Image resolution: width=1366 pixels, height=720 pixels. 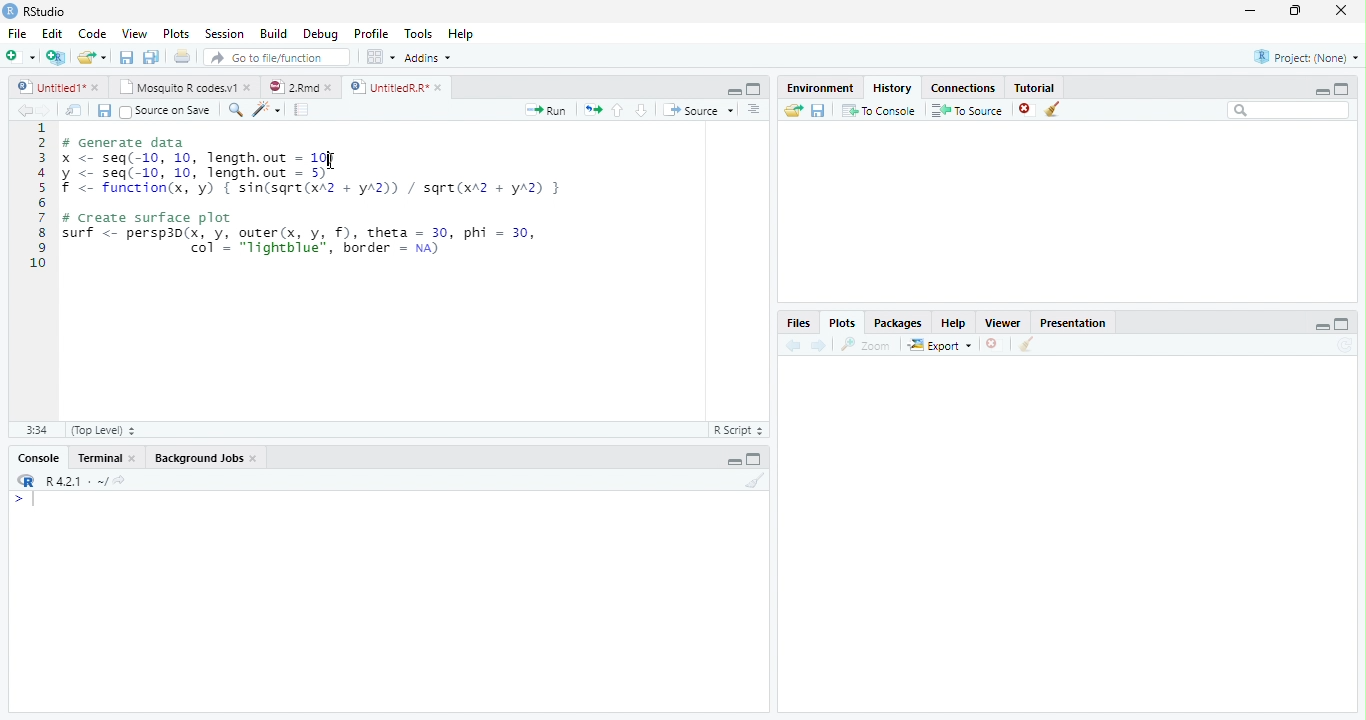 What do you see at coordinates (697, 109) in the screenshot?
I see `Source` at bounding box center [697, 109].